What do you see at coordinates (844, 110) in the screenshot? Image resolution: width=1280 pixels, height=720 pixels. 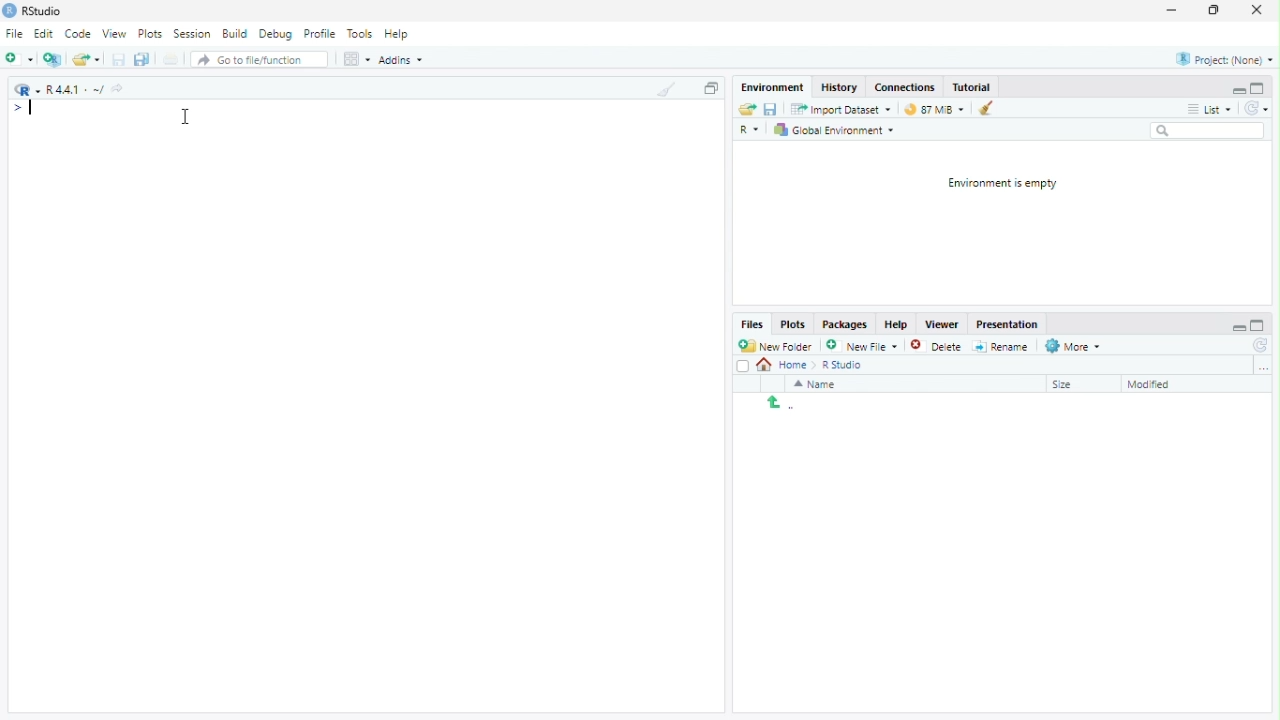 I see `Import Dataset` at bounding box center [844, 110].